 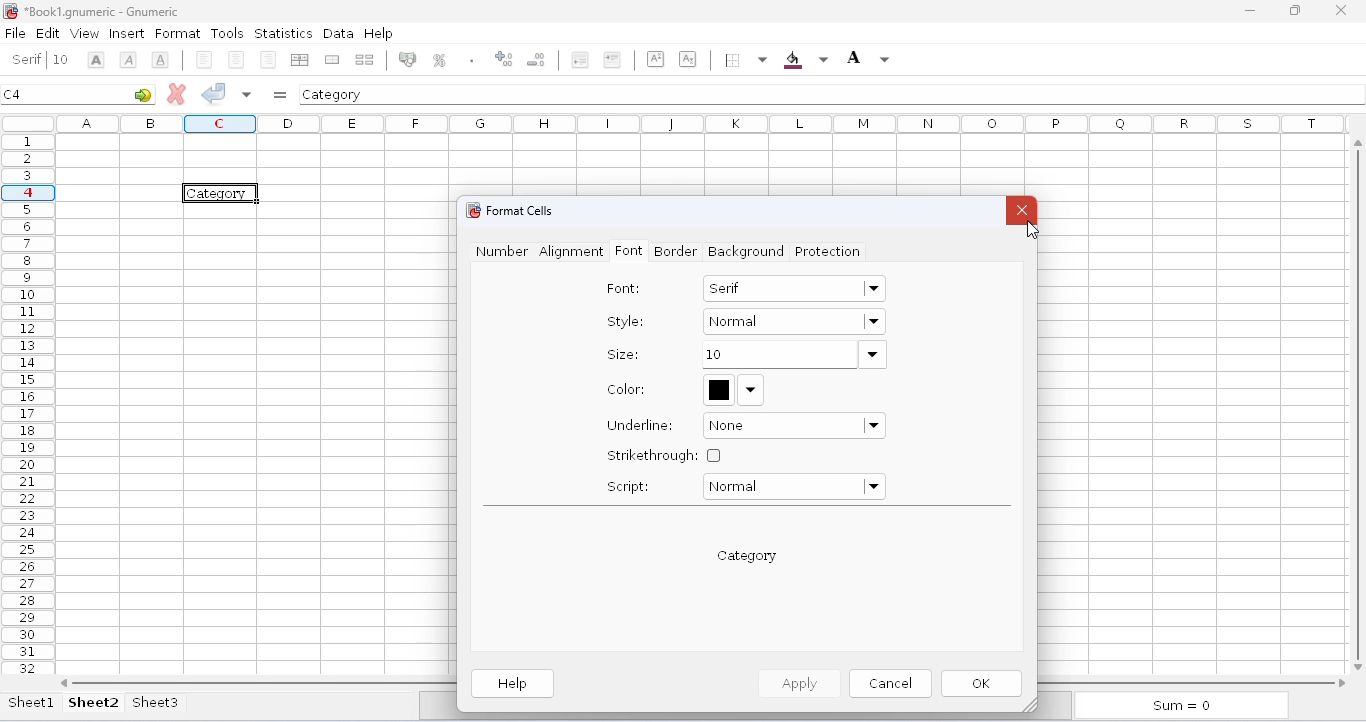 What do you see at coordinates (579, 59) in the screenshot?
I see `decrease the number of decimals displayed` at bounding box center [579, 59].